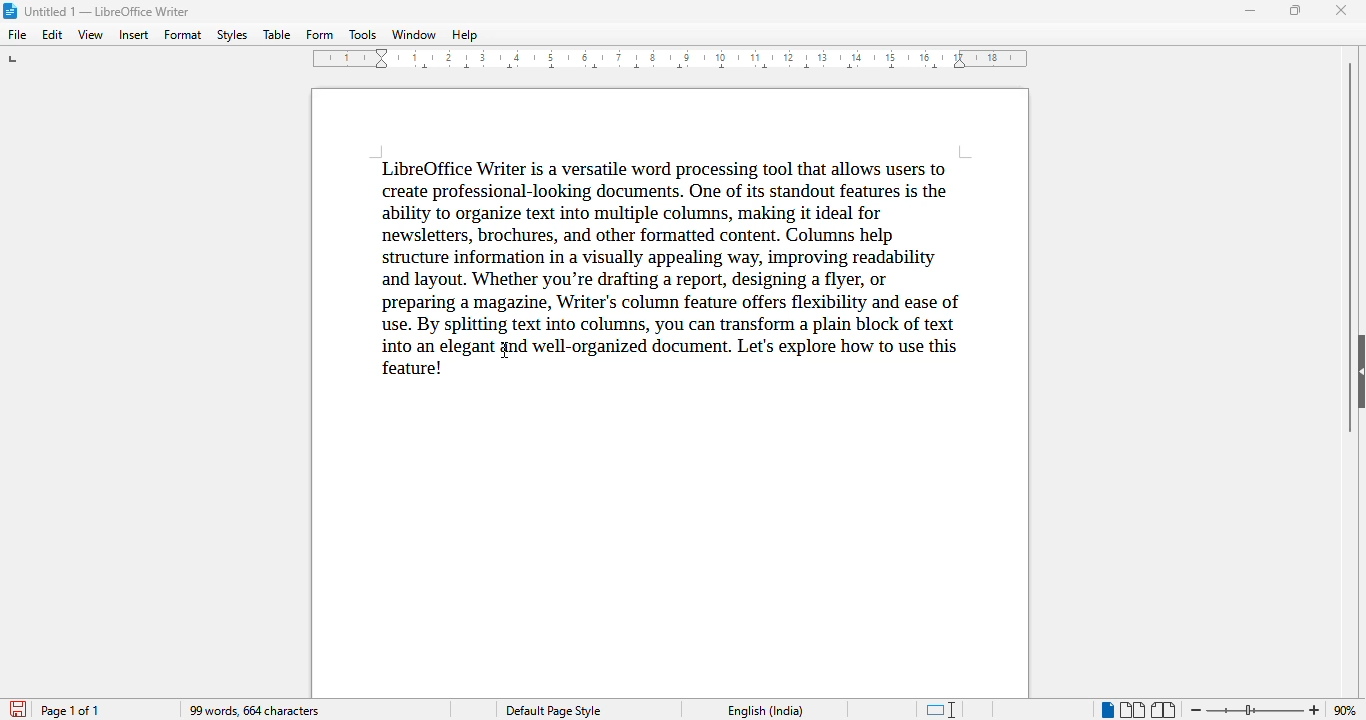 The height and width of the screenshot is (720, 1366). I want to click on window, so click(414, 35).